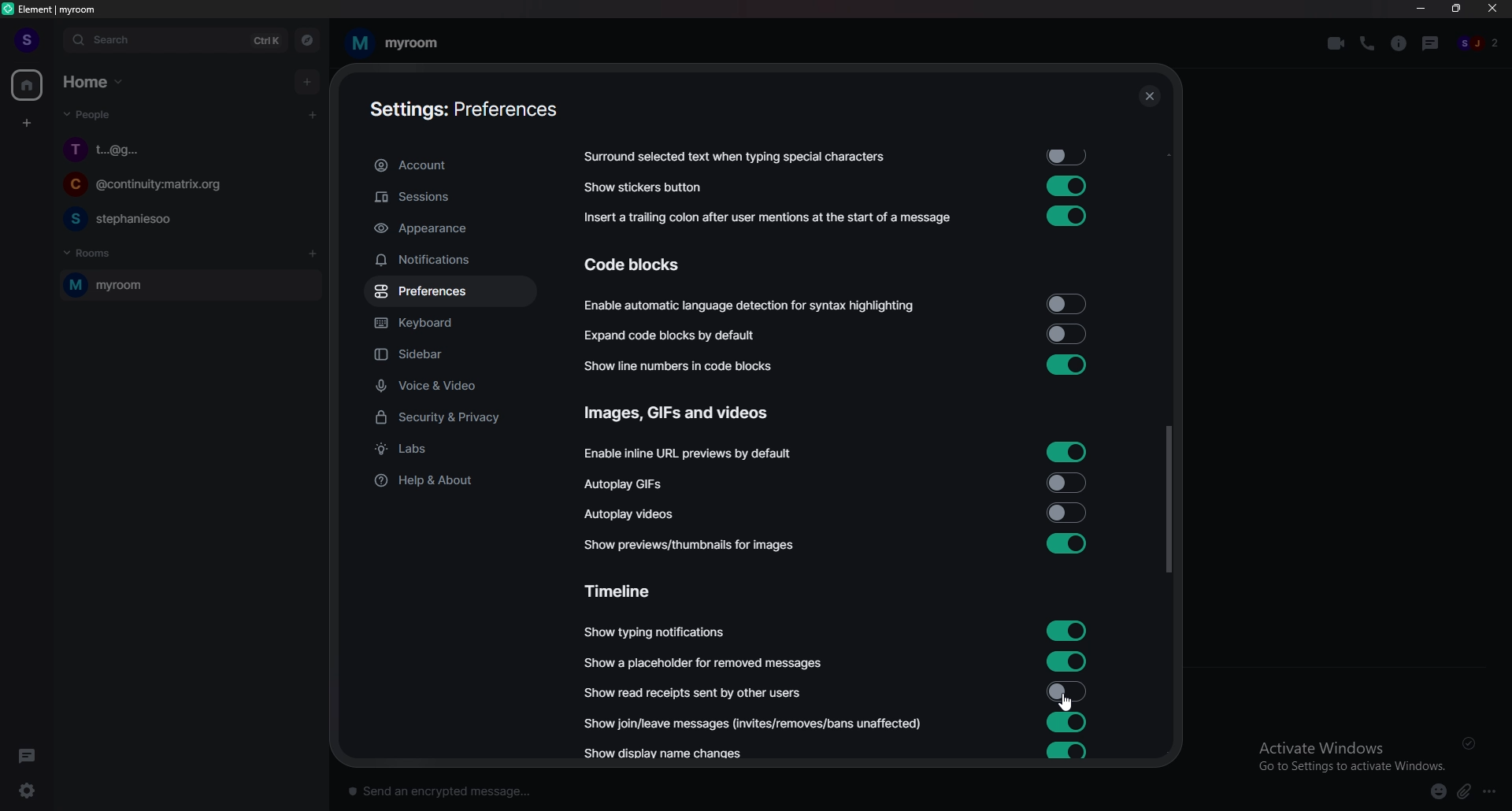  I want to click on , so click(1149, 98).